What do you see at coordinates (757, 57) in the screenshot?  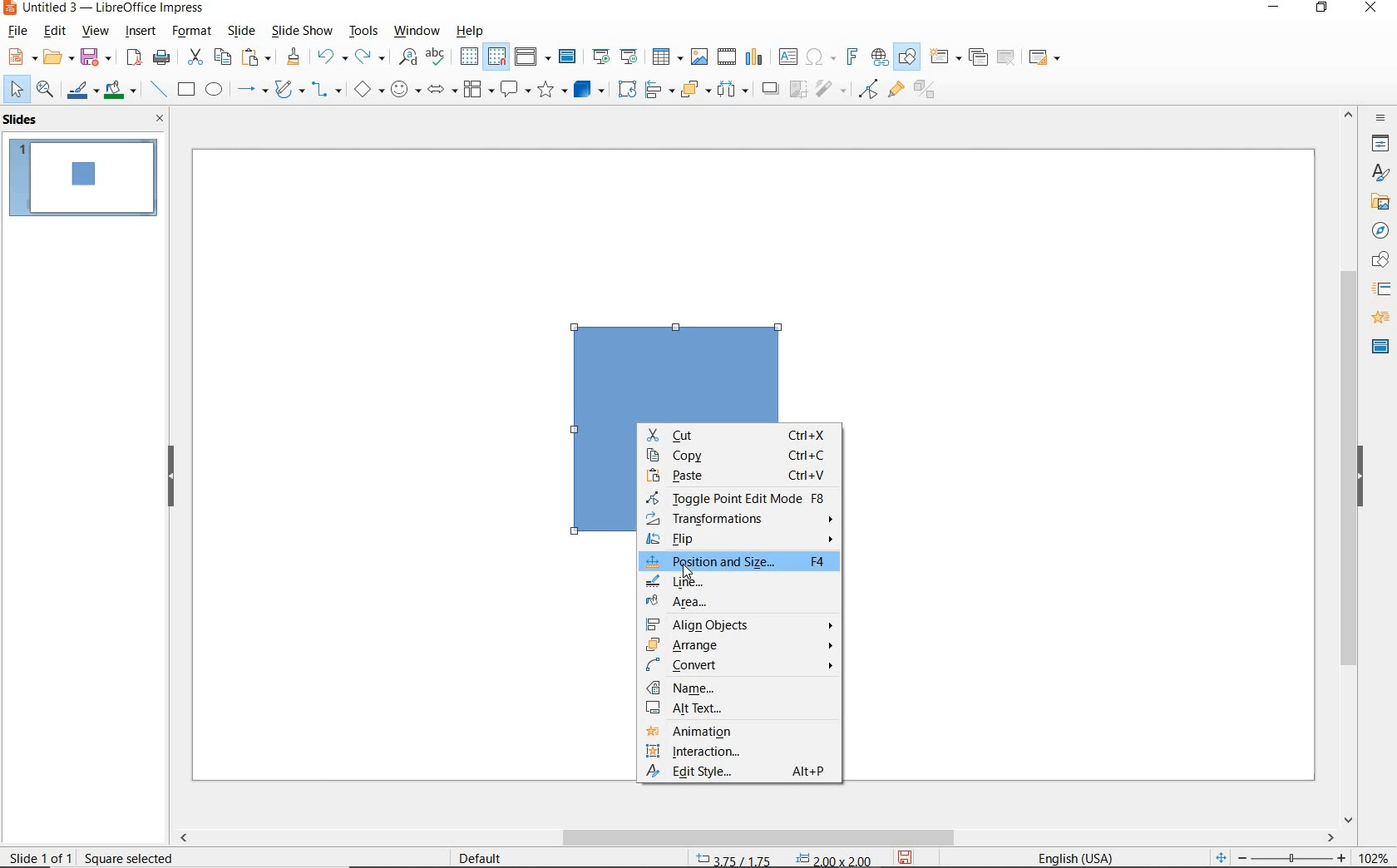 I see `insert chart` at bounding box center [757, 57].